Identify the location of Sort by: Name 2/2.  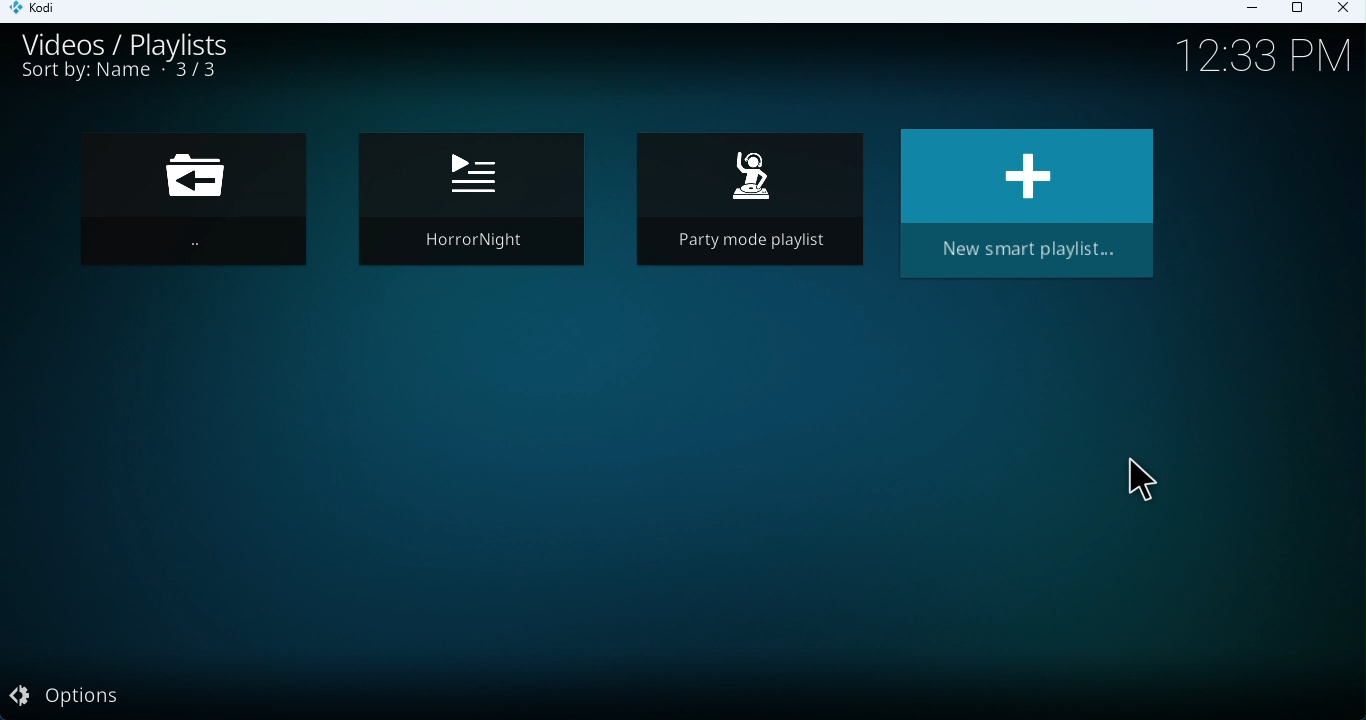
(120, 76).